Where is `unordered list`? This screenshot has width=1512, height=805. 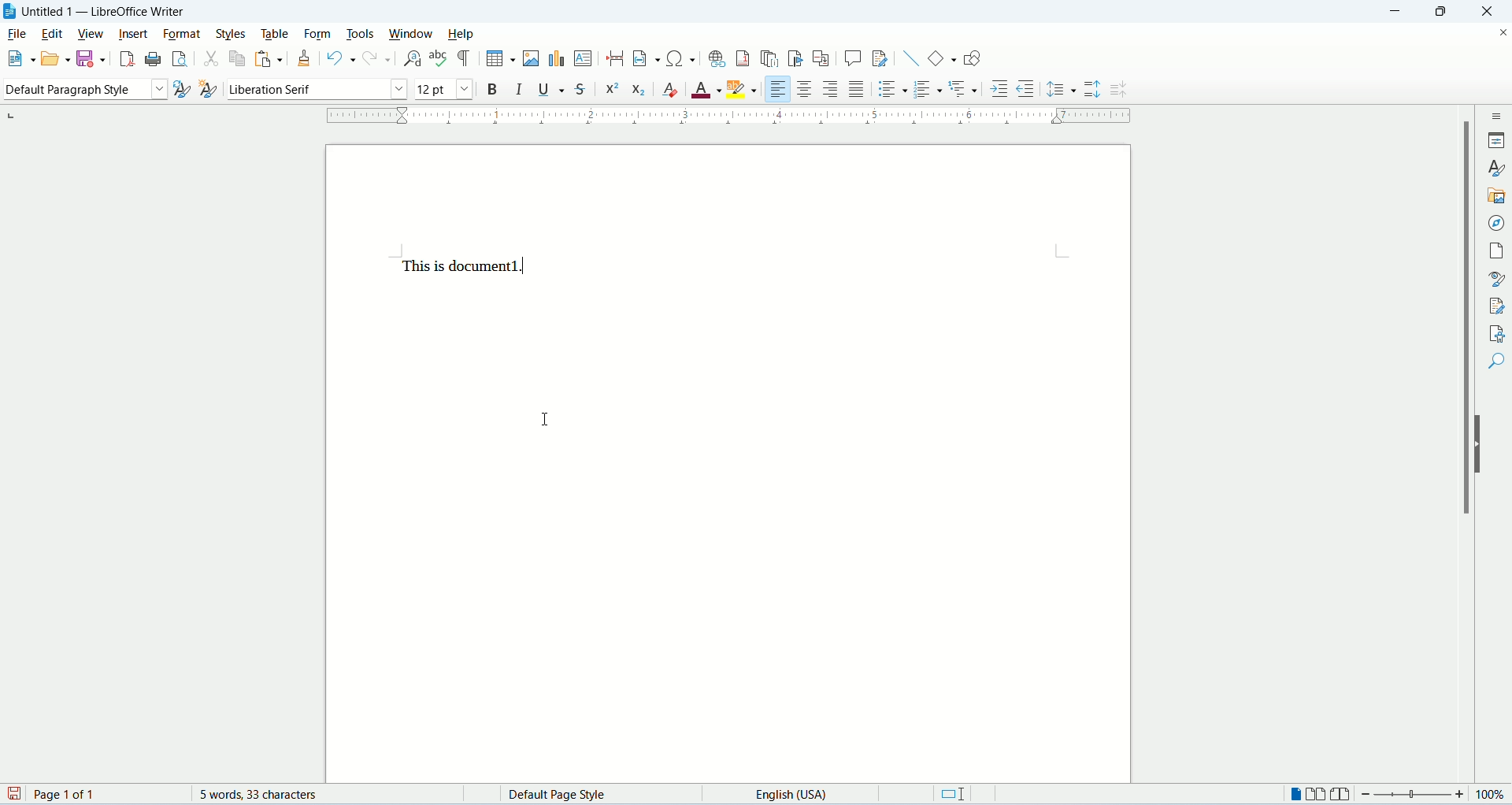 unordered list is located at coordinates (891, 90).